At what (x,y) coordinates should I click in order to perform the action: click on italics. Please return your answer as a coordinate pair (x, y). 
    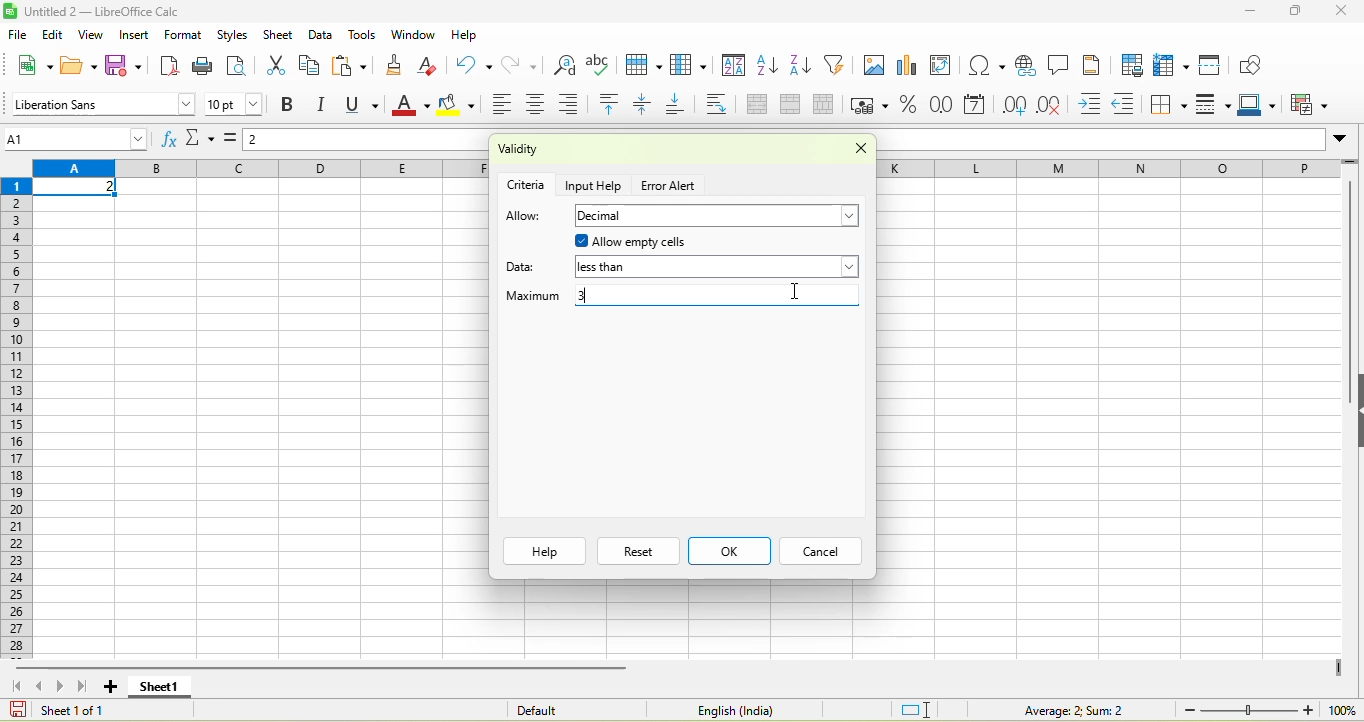
    Looking at the image, I should click on (326, 105).